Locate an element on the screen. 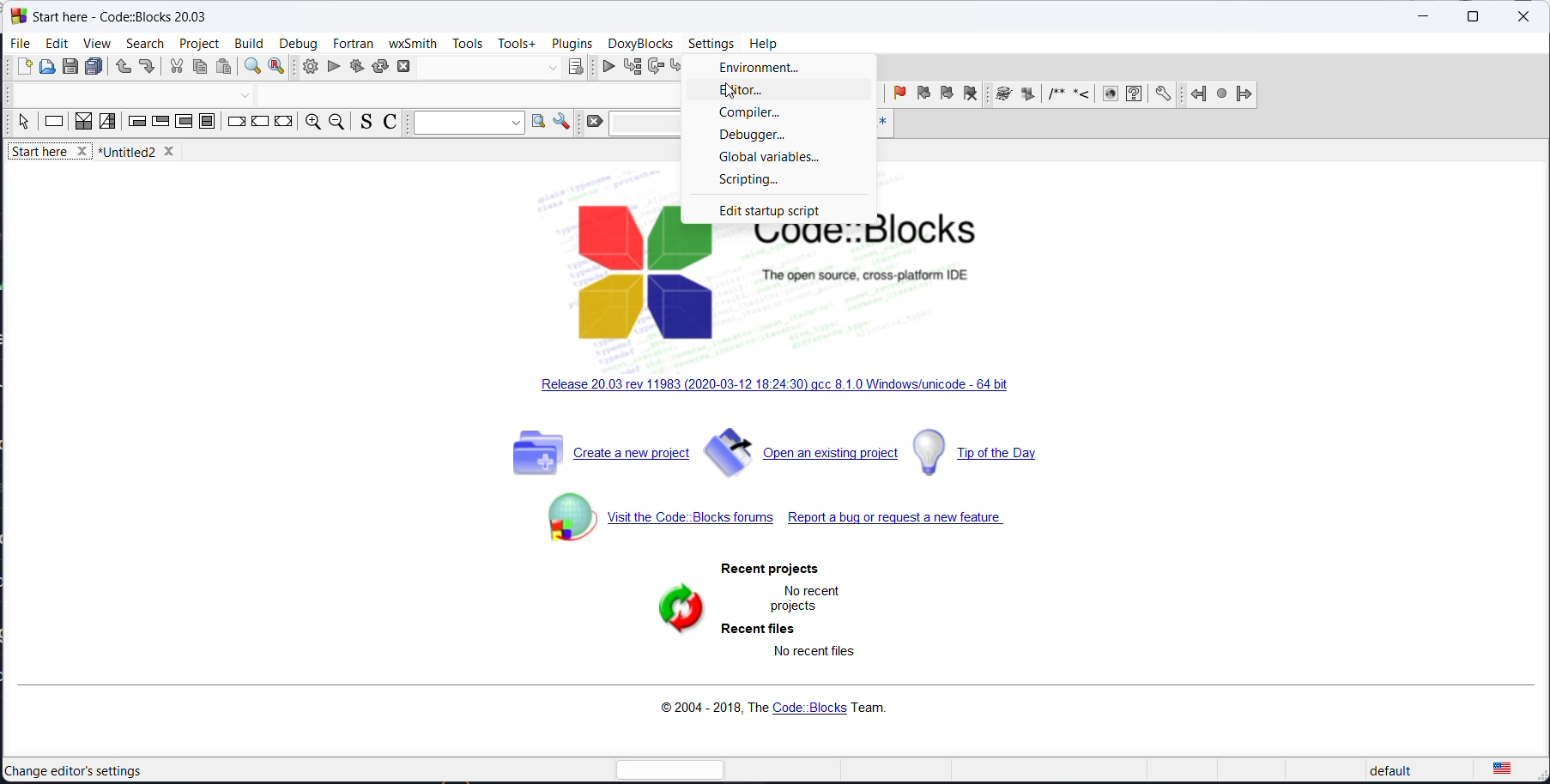 This screenshot has width=1550, height=784. cut is located at coordinates (176, 68).